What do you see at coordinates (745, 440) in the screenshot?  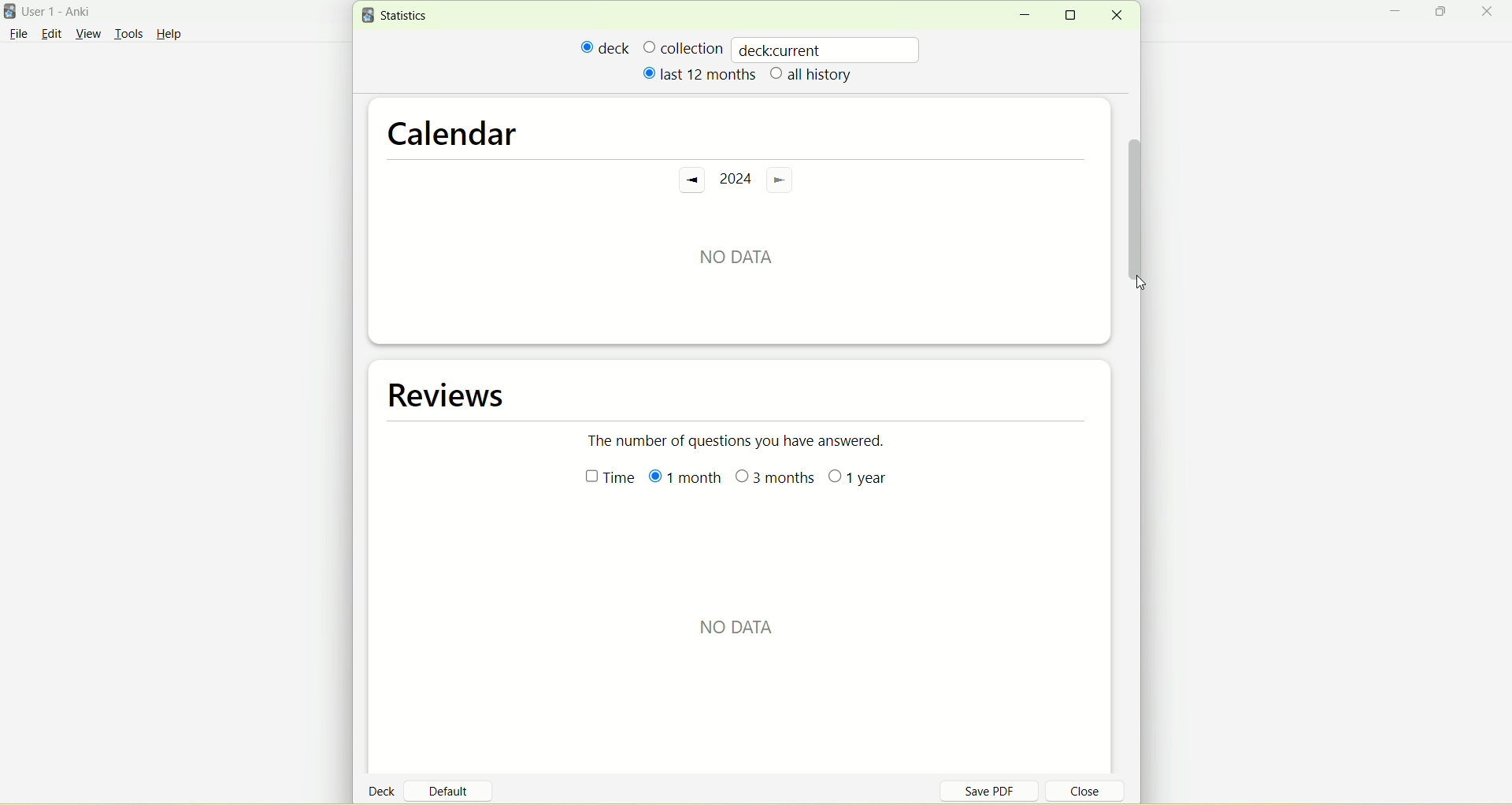 I see `The number of questions you have answered.` at bounding box center [745, 440].